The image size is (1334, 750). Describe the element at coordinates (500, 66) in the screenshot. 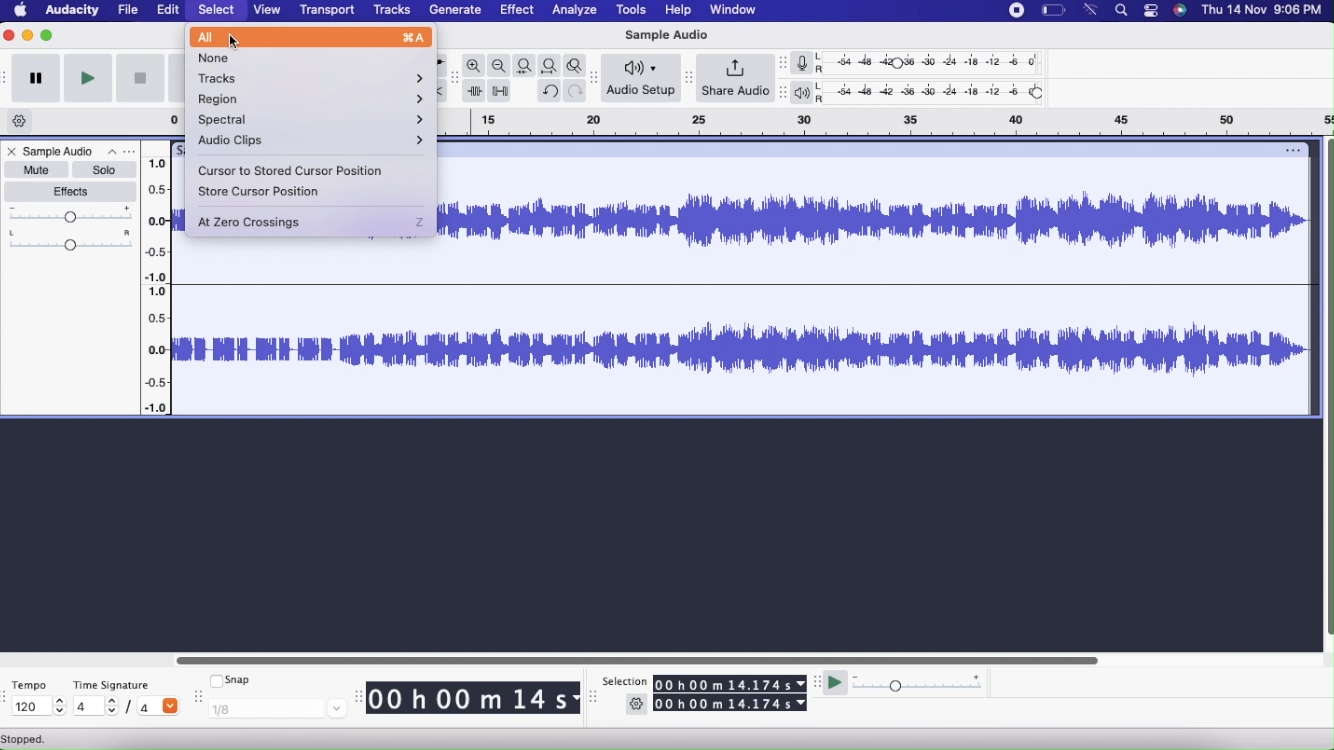

I see `Zoom out` at that location.